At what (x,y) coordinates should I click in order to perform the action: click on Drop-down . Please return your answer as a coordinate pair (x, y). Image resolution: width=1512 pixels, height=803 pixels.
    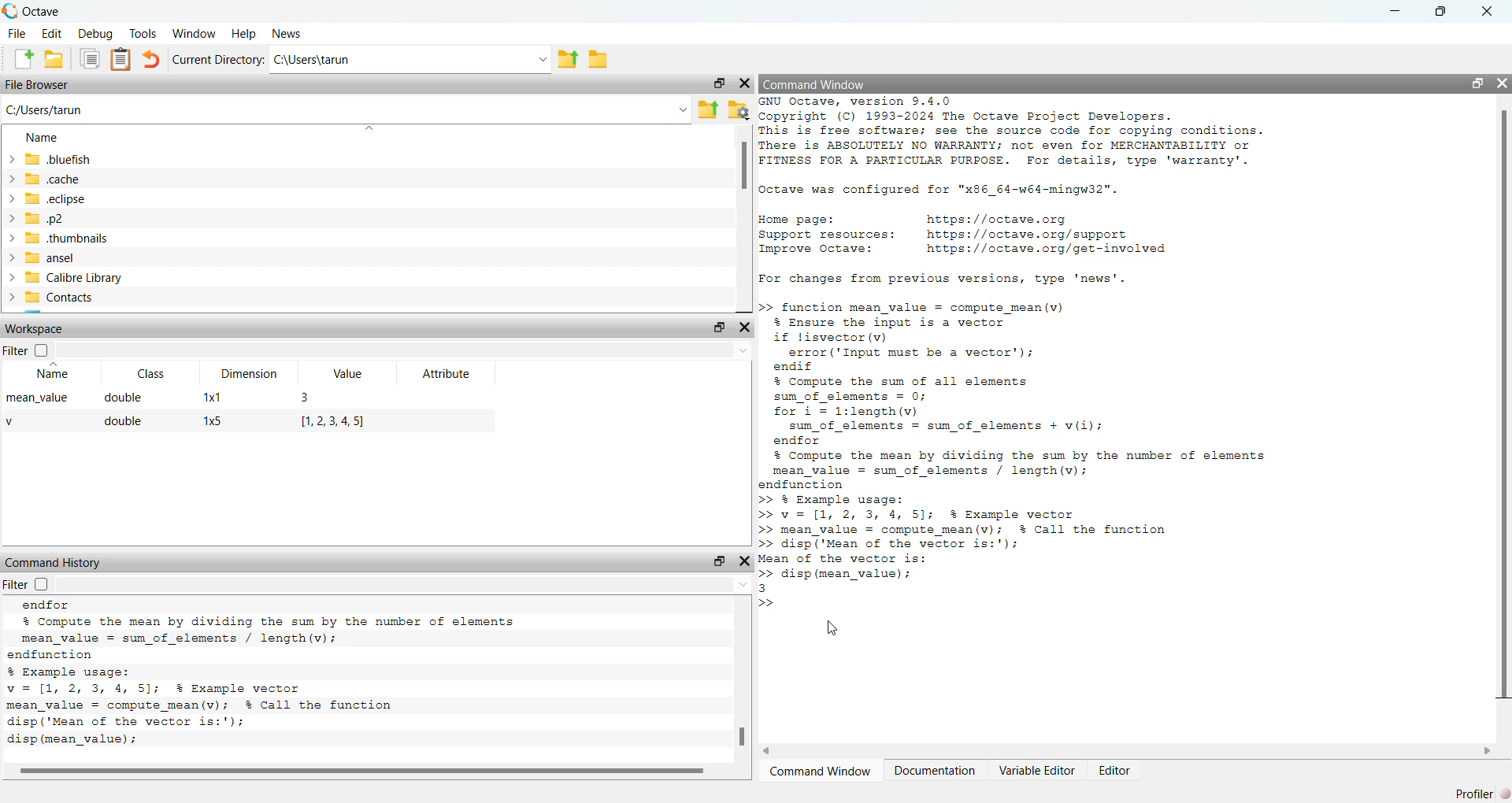
    Looking at the image, I should click on (745, 350).